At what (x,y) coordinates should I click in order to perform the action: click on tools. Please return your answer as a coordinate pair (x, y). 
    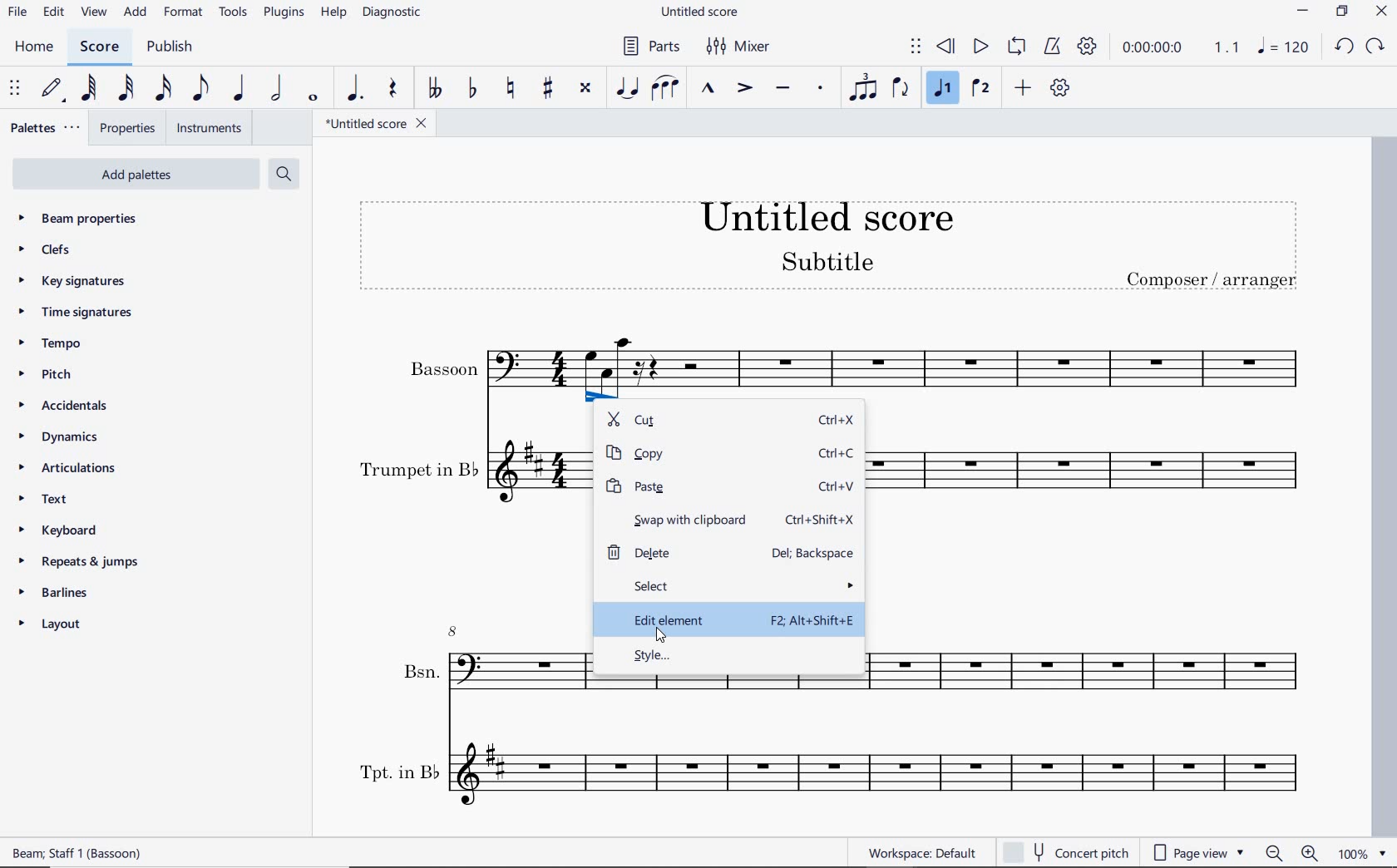
    Looking at the image, I should click on (233, 12).